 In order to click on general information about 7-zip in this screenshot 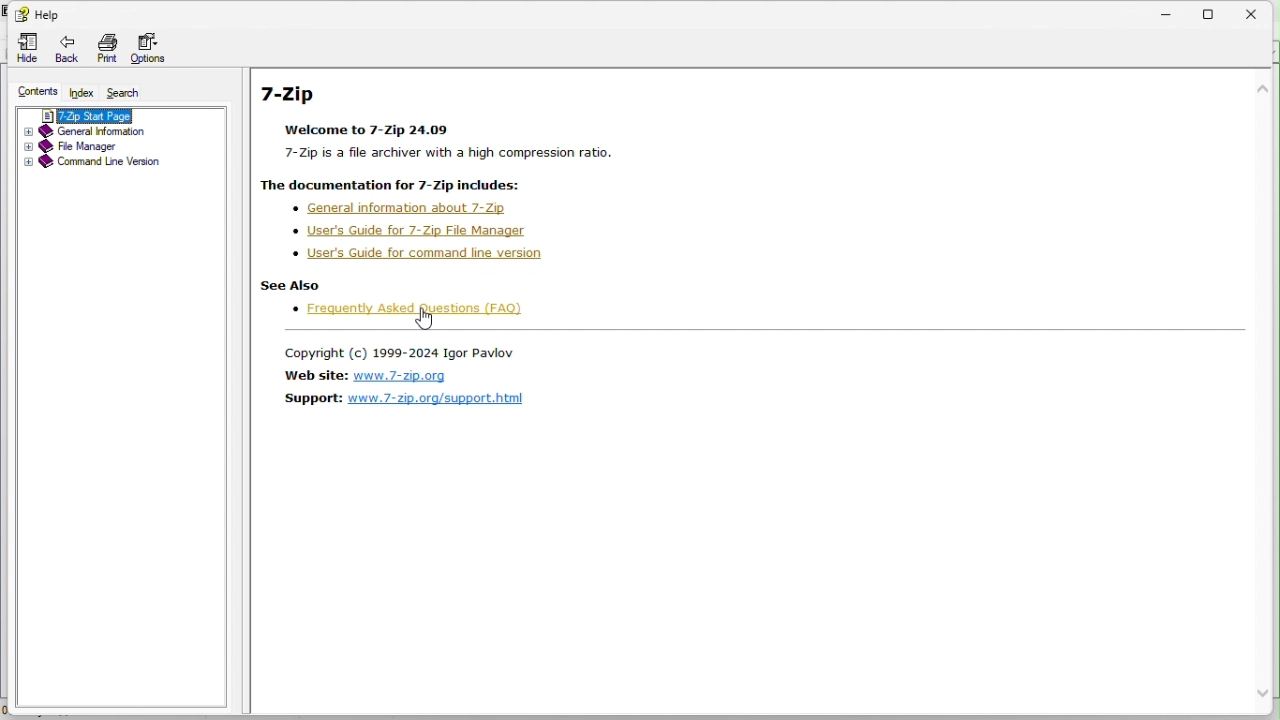, I will do `click(391, 210)`.